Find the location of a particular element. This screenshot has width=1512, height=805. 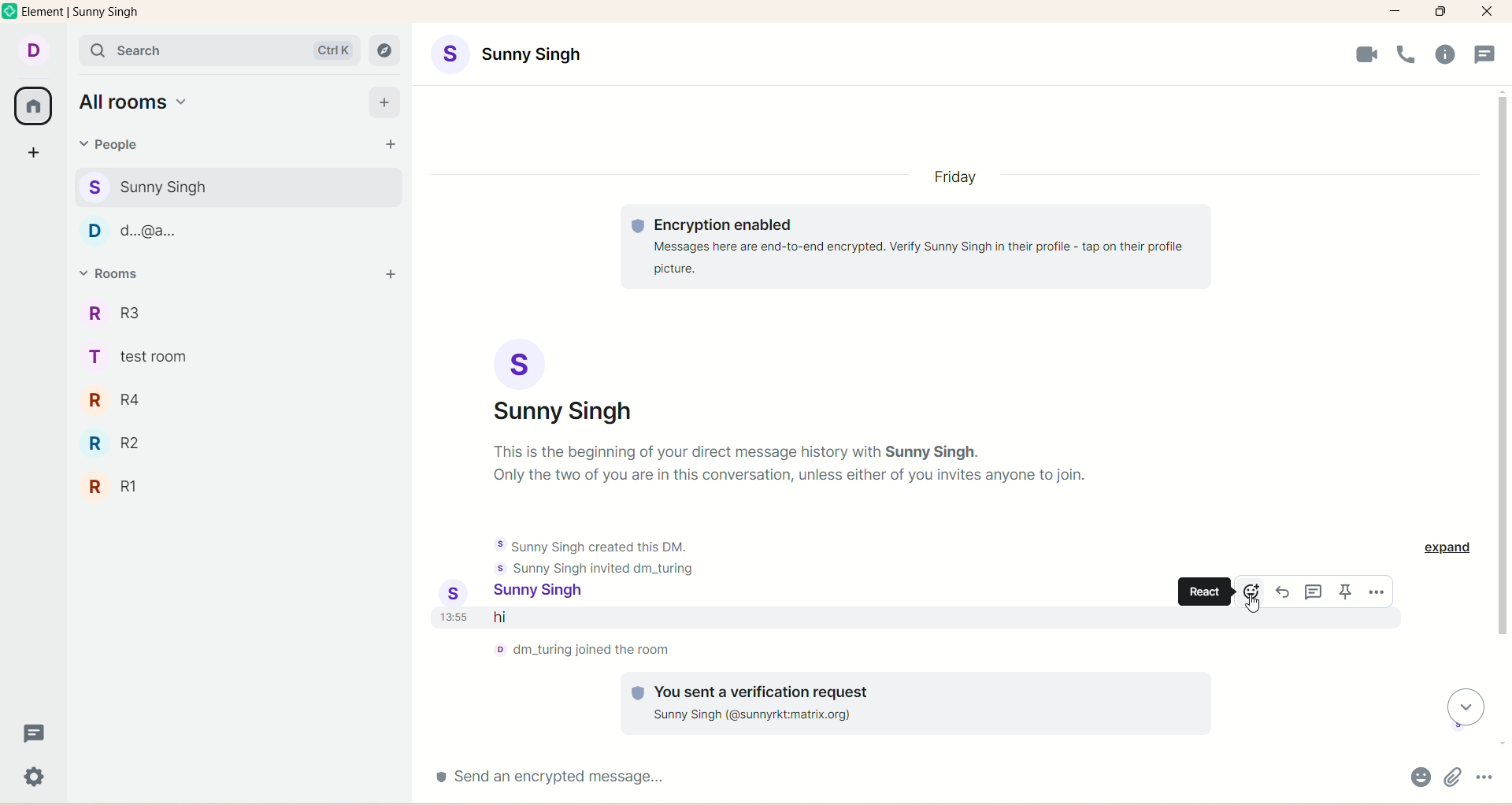

vertical scroll bar is located at coordinates (1503, 418).